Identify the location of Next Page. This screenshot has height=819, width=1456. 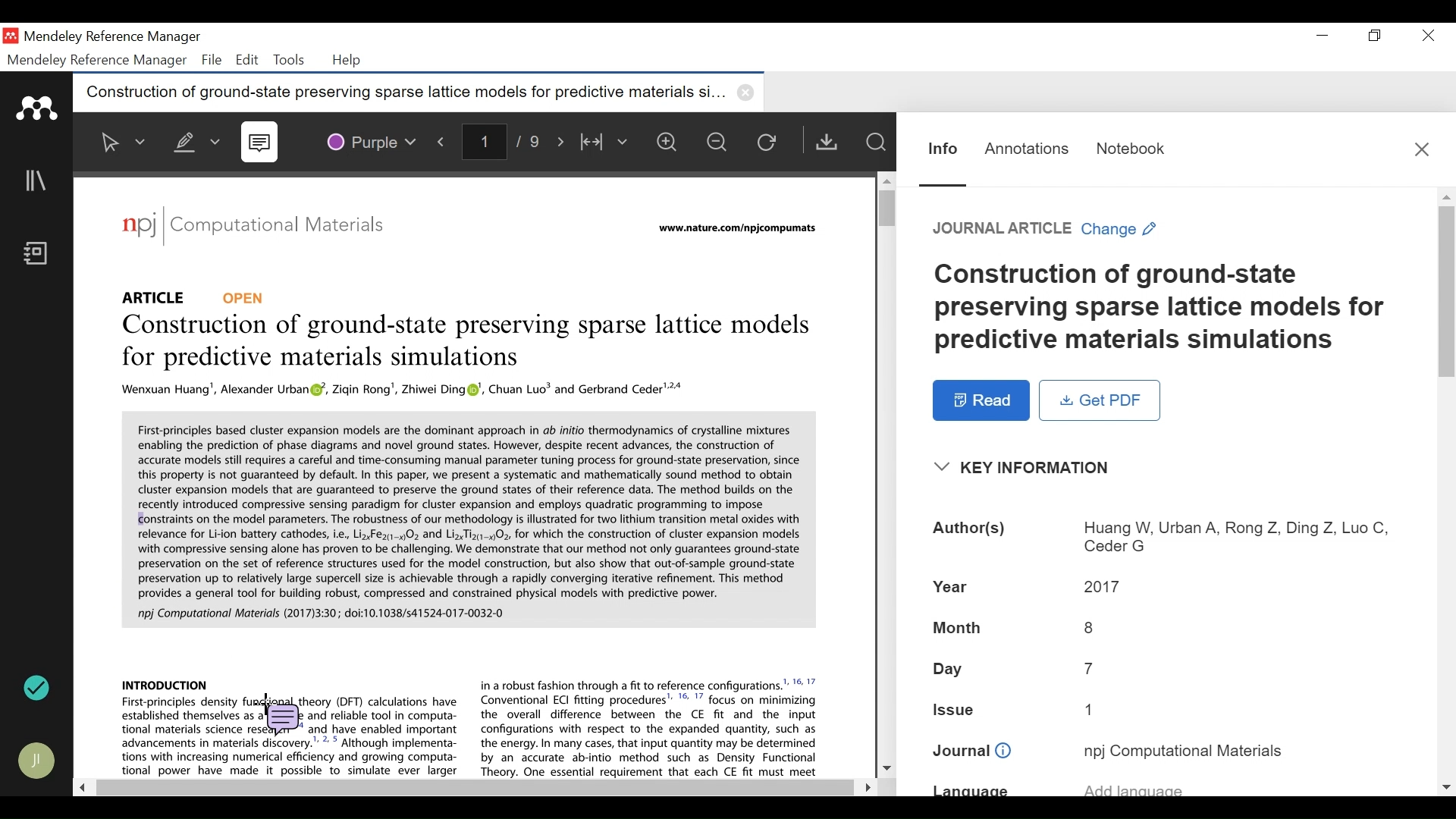
(562, 142).